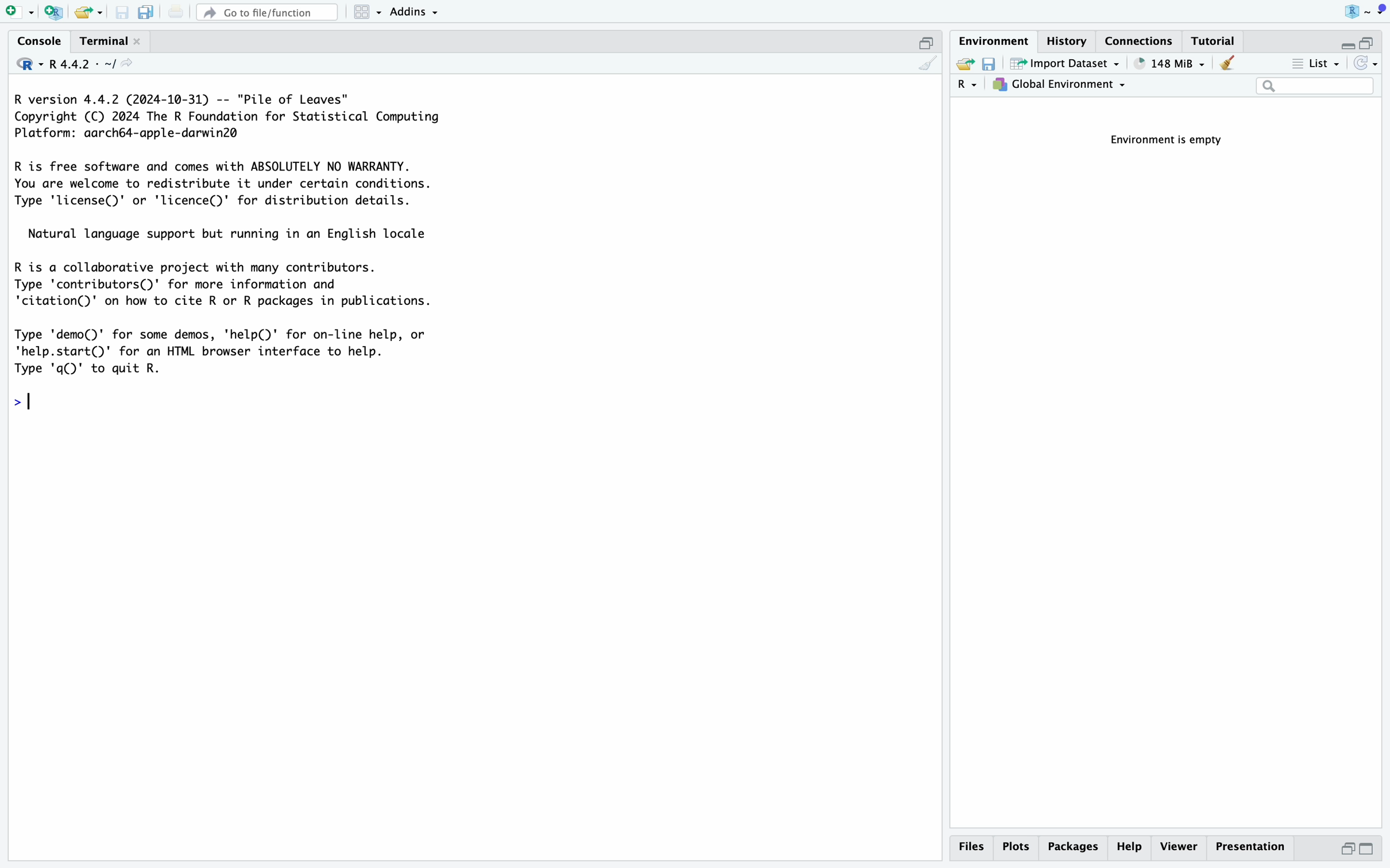 This screenshot has width=1390, height=868. Describe the element at coordinates (140, 41) in the screenshot. I see `close` at that location.